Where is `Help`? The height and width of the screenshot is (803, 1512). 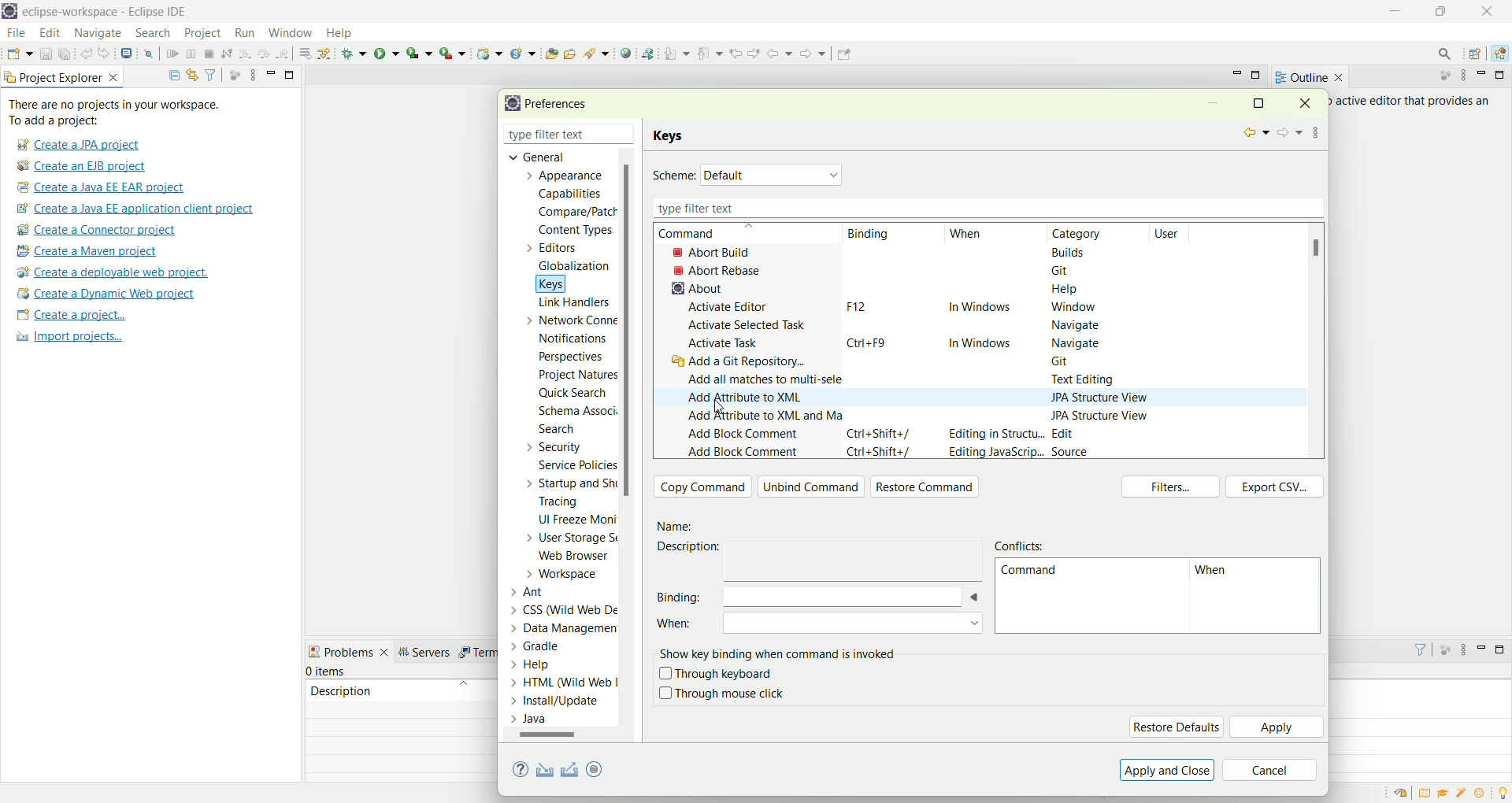 Help is located at coordinates (547, 666).